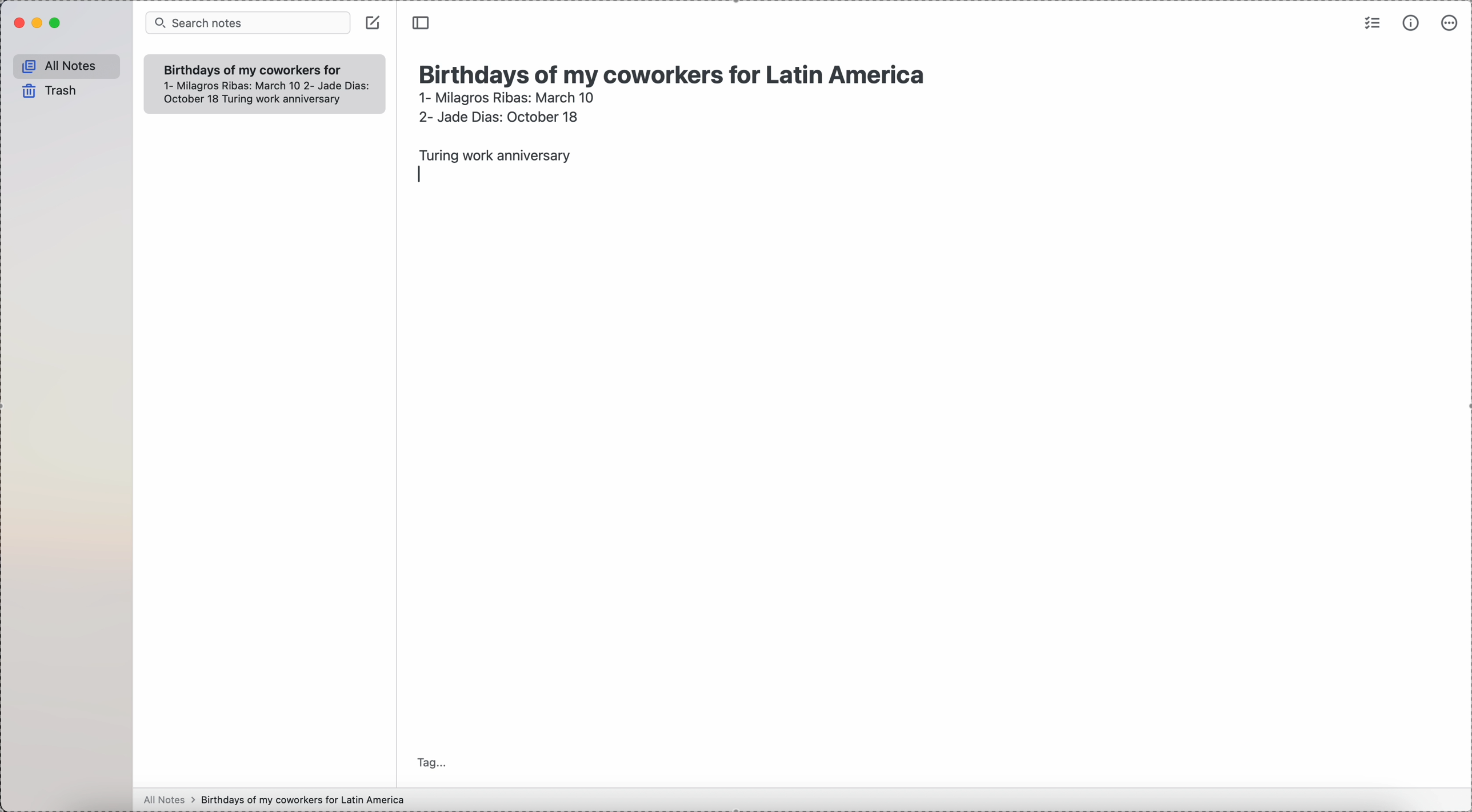 The height and width of the screenshot is (812, 1472). I want to click on 1- Milagros, so click(506, 97).